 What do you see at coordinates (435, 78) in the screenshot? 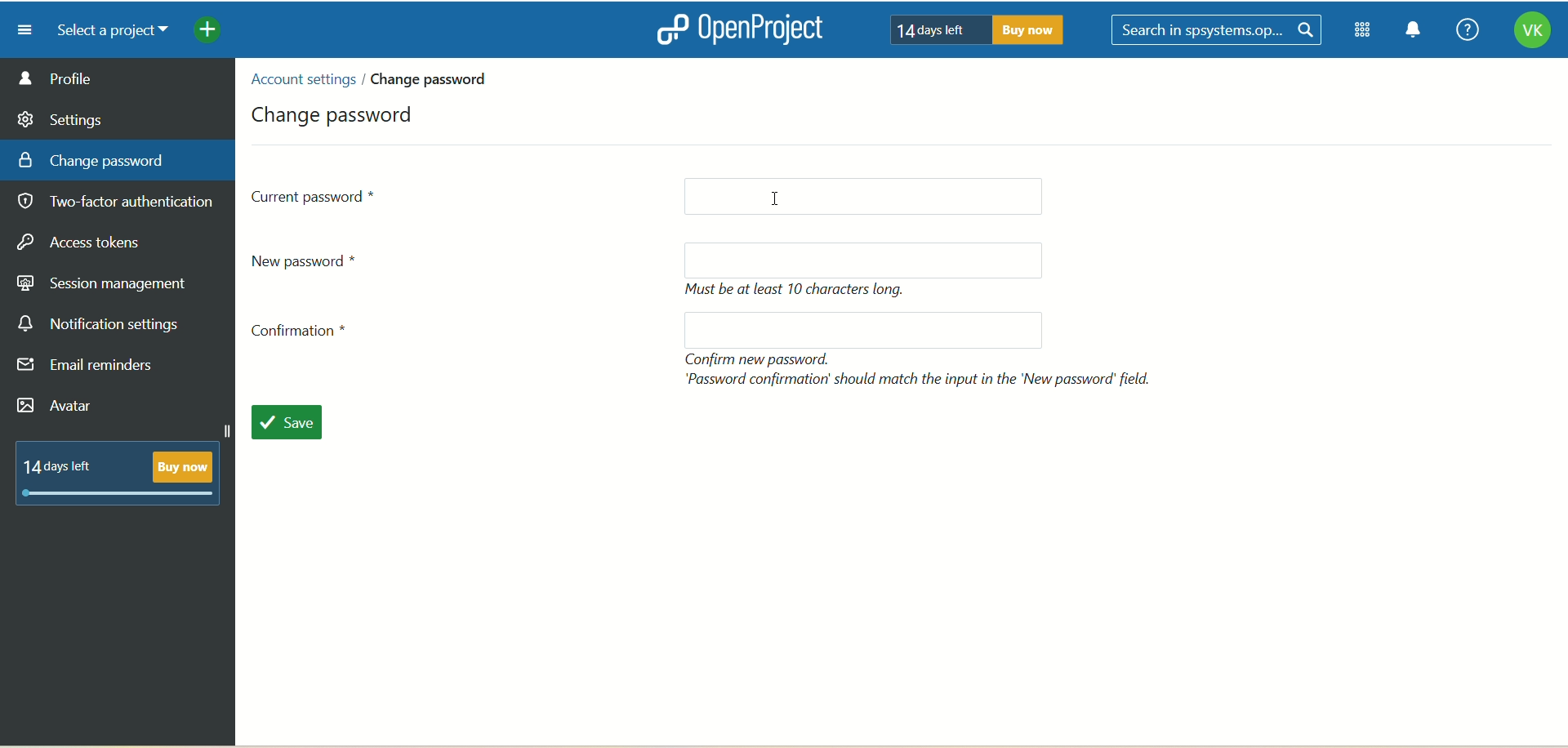
I see `change password` at bounding box center [435, 78].